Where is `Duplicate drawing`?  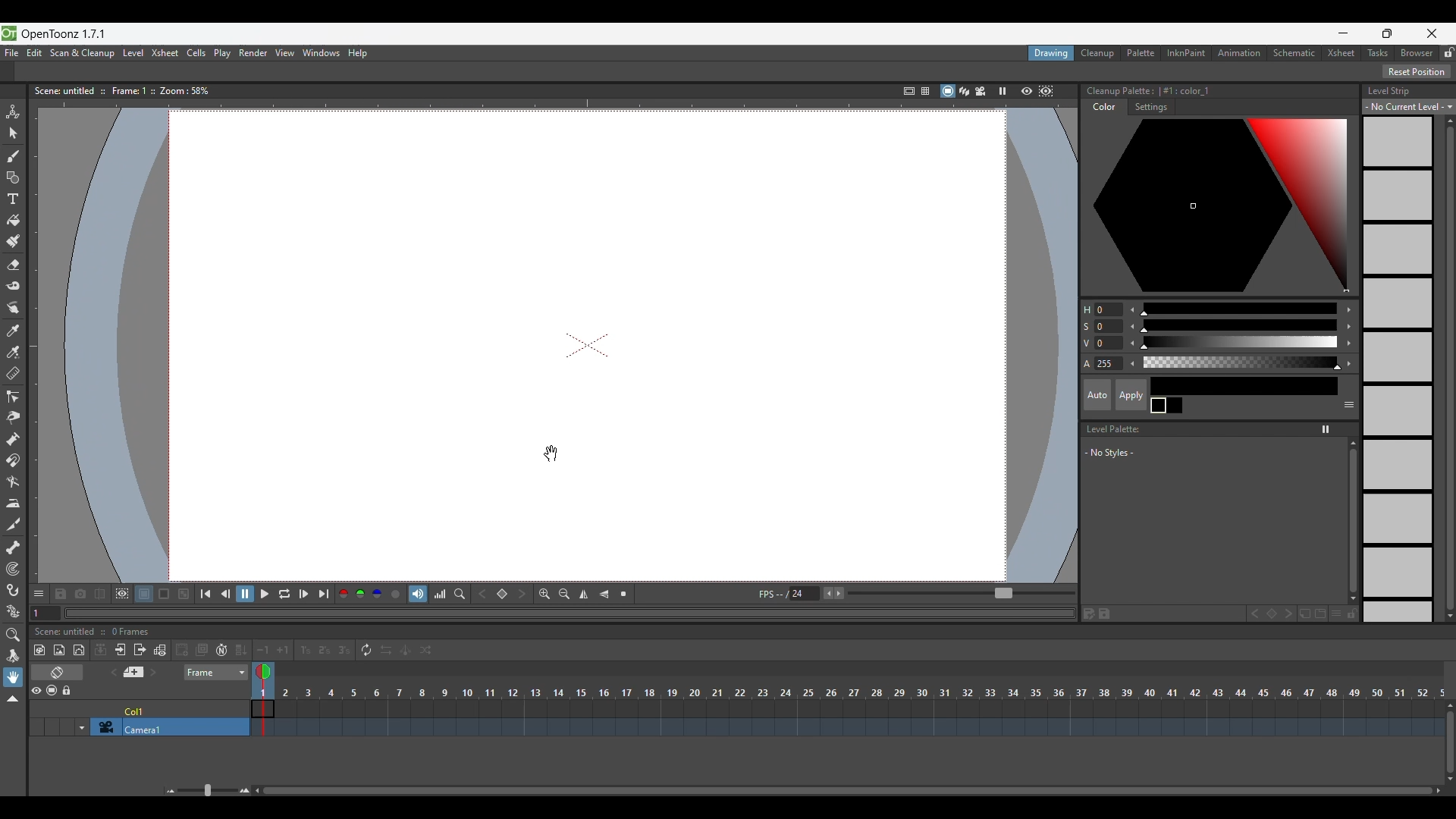 Duplicate drawing is located at coordinates (202, 650).